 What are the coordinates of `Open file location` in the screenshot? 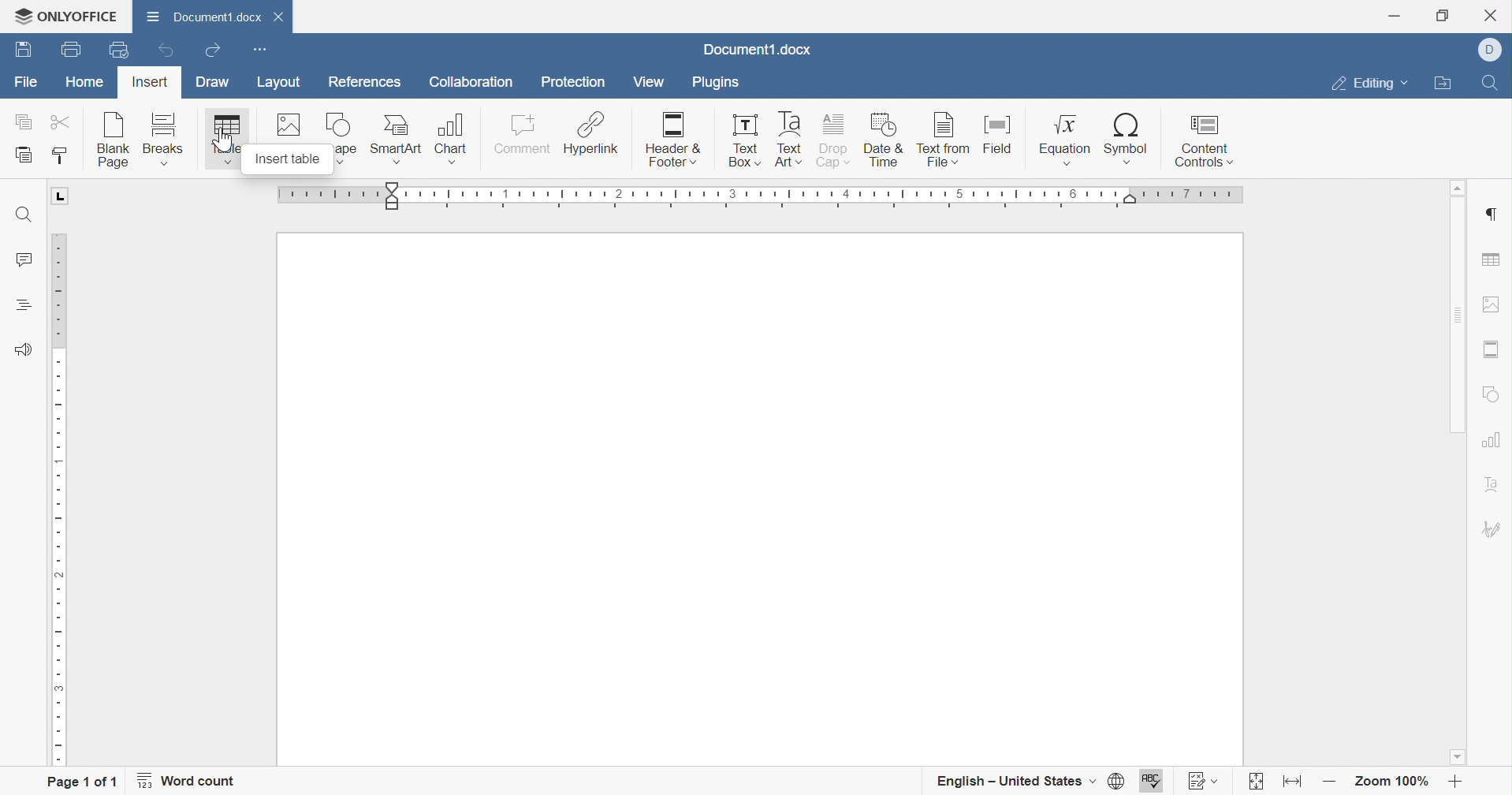 It's located at (1447, 85).